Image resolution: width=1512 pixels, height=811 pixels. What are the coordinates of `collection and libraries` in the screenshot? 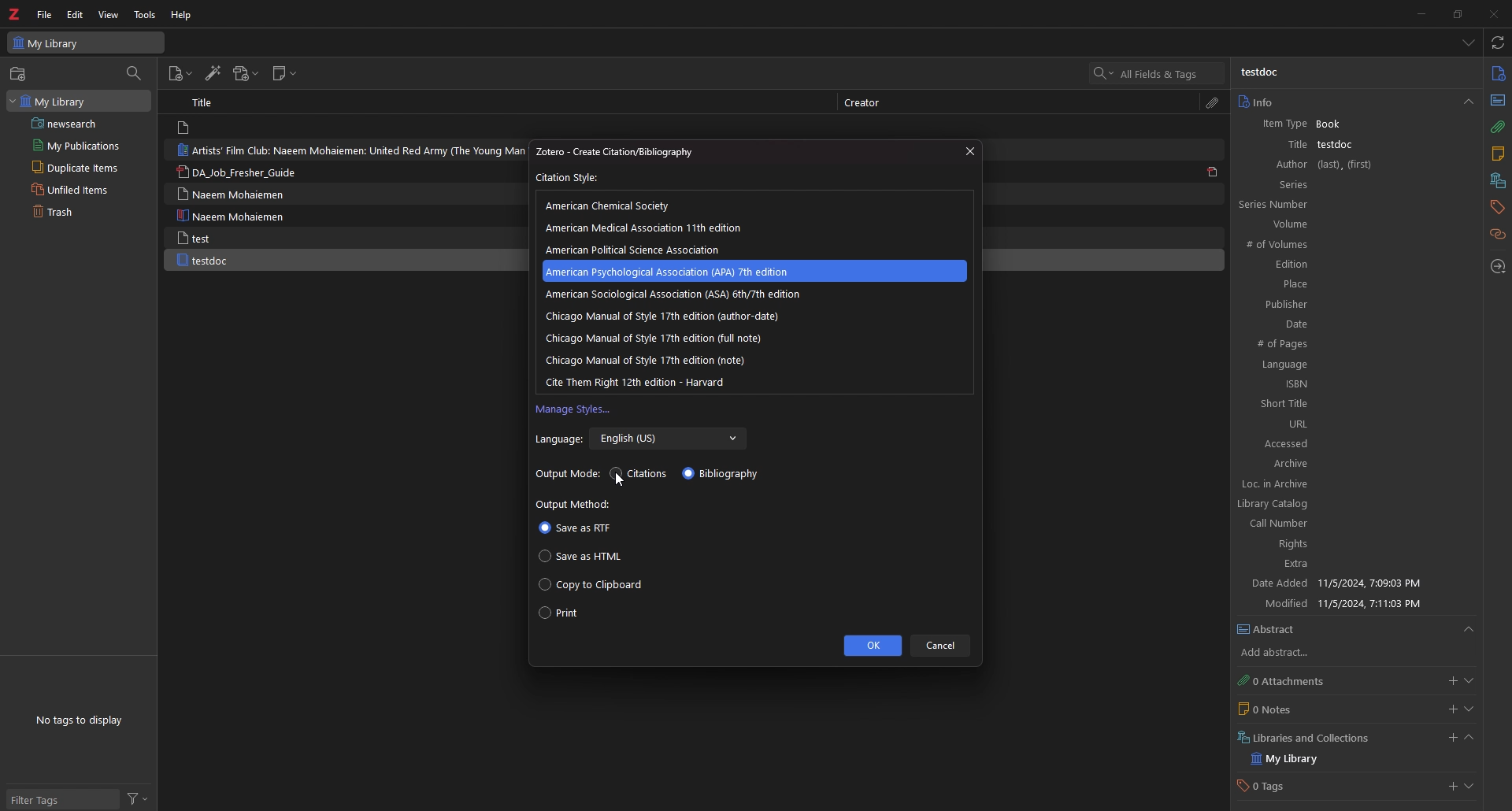 It's located at (1496, 182).